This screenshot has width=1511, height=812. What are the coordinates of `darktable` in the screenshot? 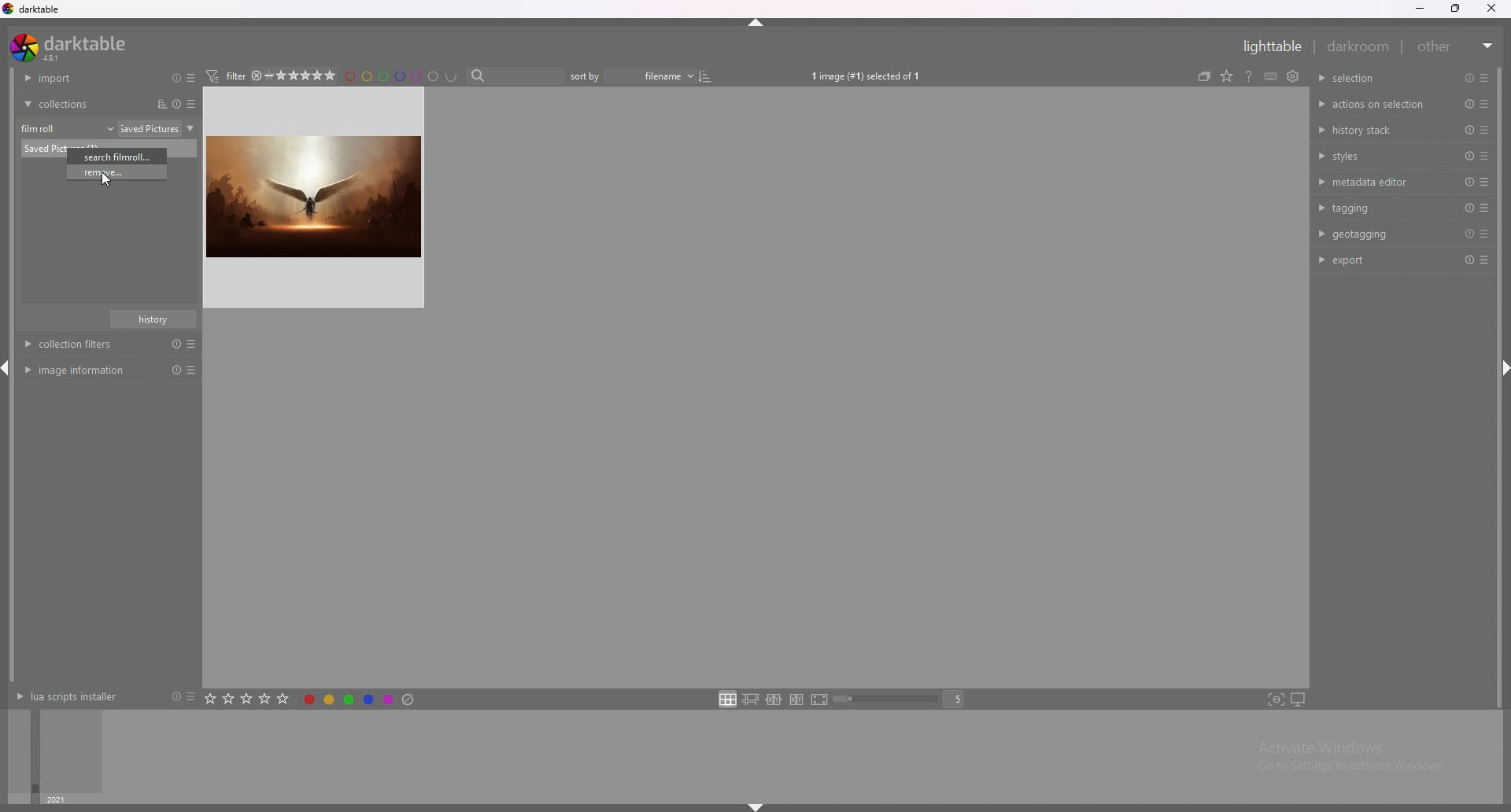 It's located at (72, 47).